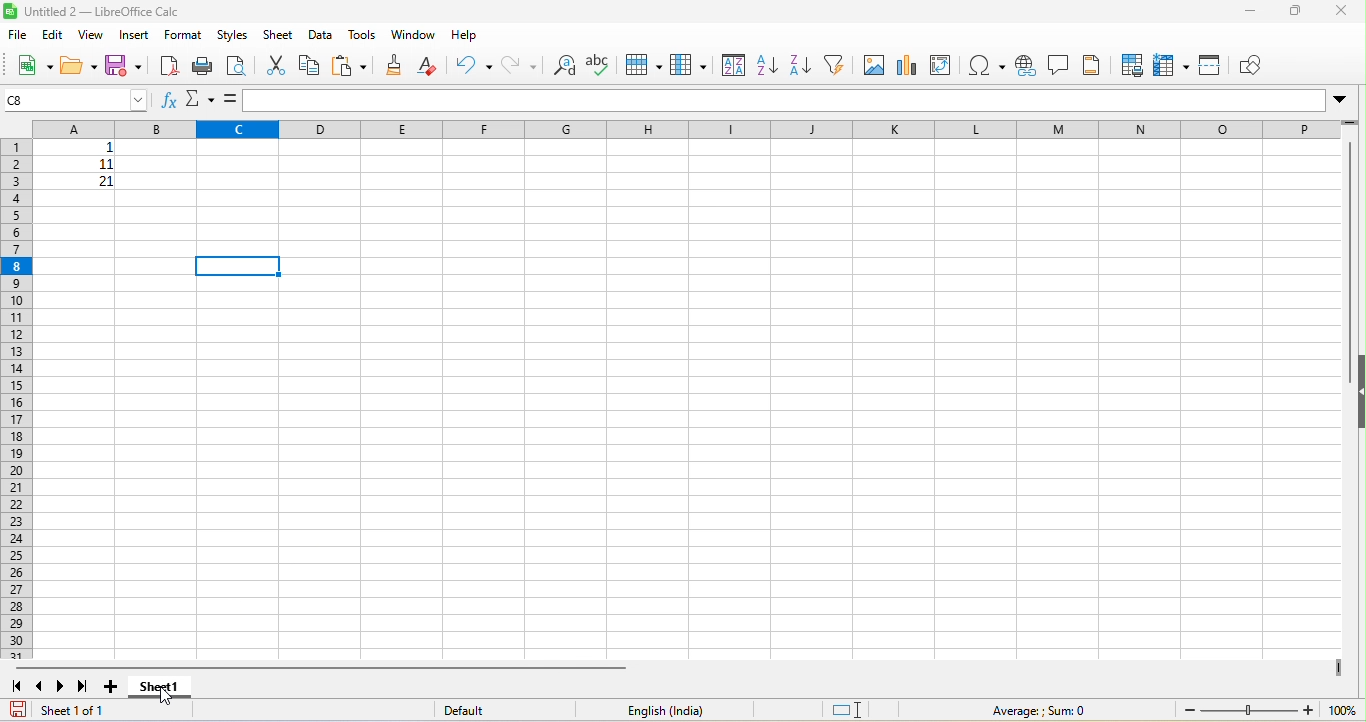 This screenshot has height=722, width=1366. What do you see at coordinates (327, 666) in the screenshot?
I see `horizontal scroll bar` at bounding box center [327, 666].